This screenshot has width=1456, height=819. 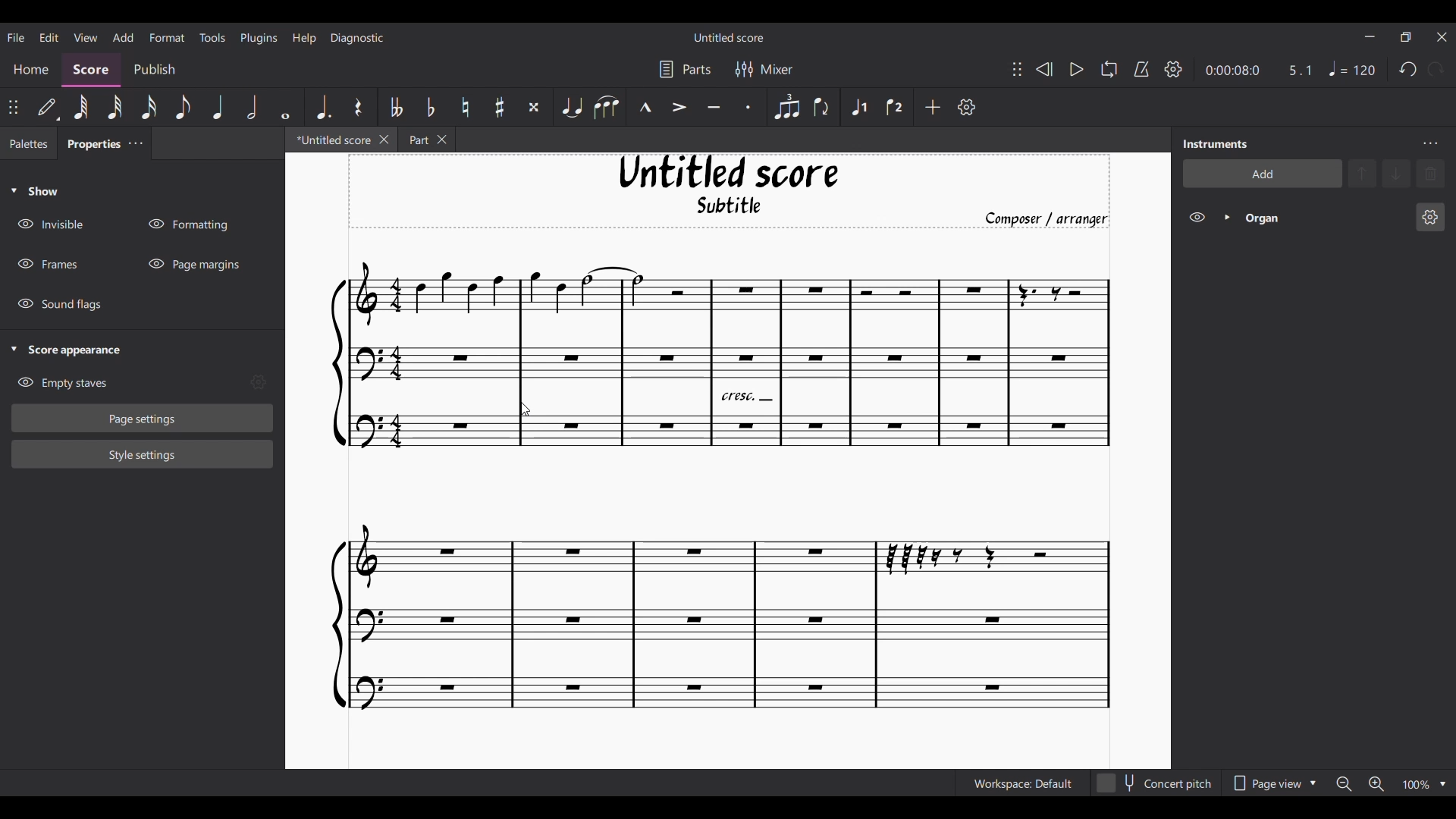 I want to click on Hide Frames, so click(x=48, y=264).